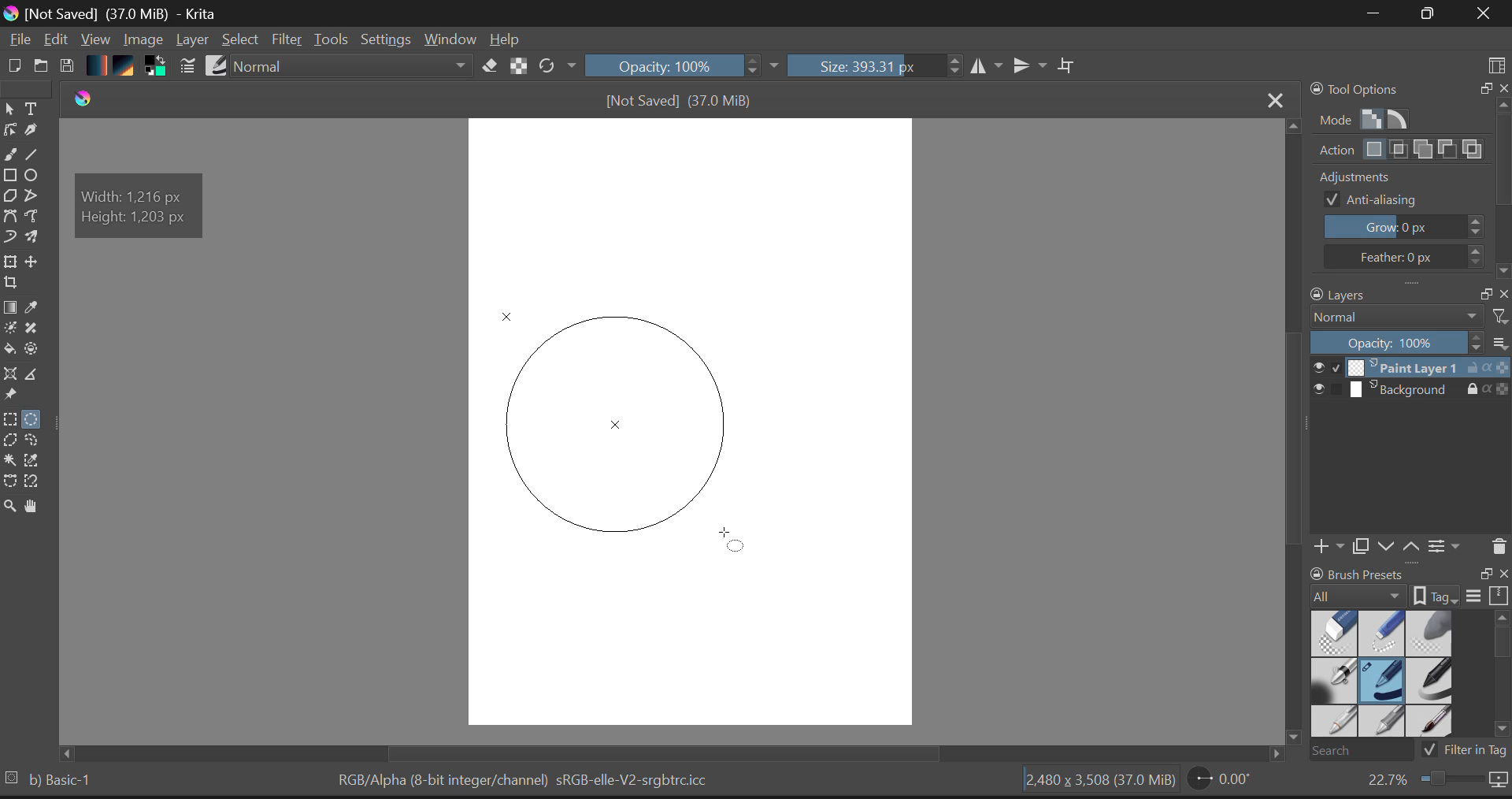 The image size is (1512, 799). I want to click on Color Information, so click(528, 782).